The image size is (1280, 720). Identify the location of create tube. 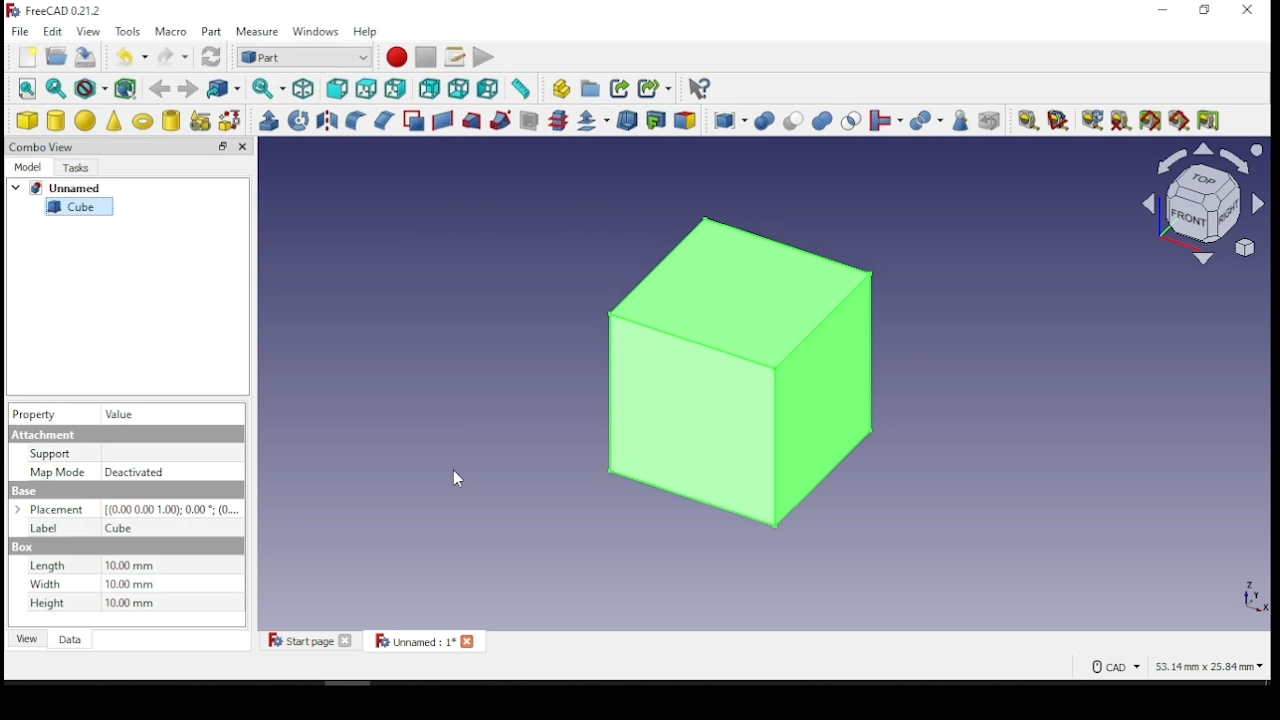
(172, 120).